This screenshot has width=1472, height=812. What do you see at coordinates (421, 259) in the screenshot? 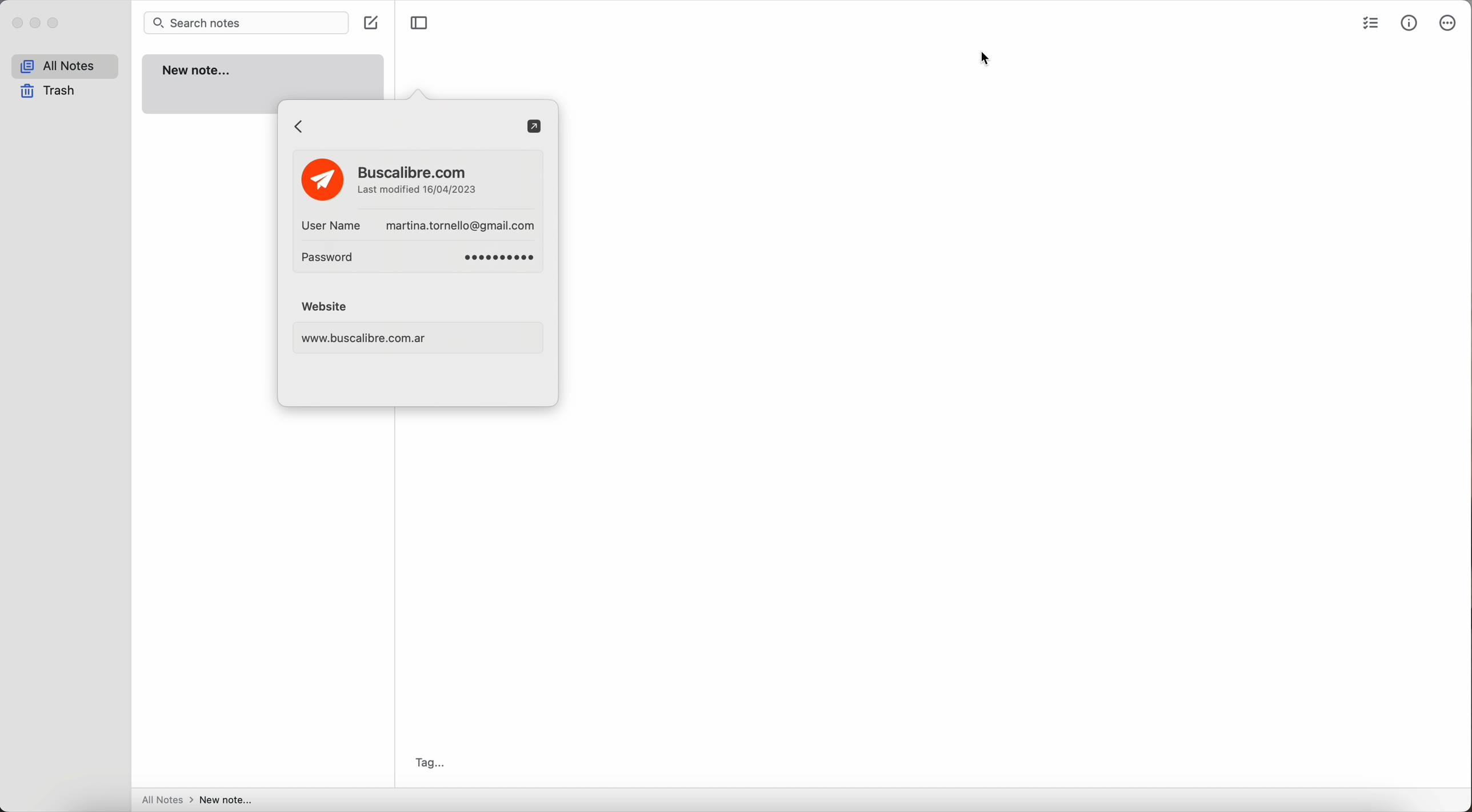
I see `password` at bounding box center [421, 259].